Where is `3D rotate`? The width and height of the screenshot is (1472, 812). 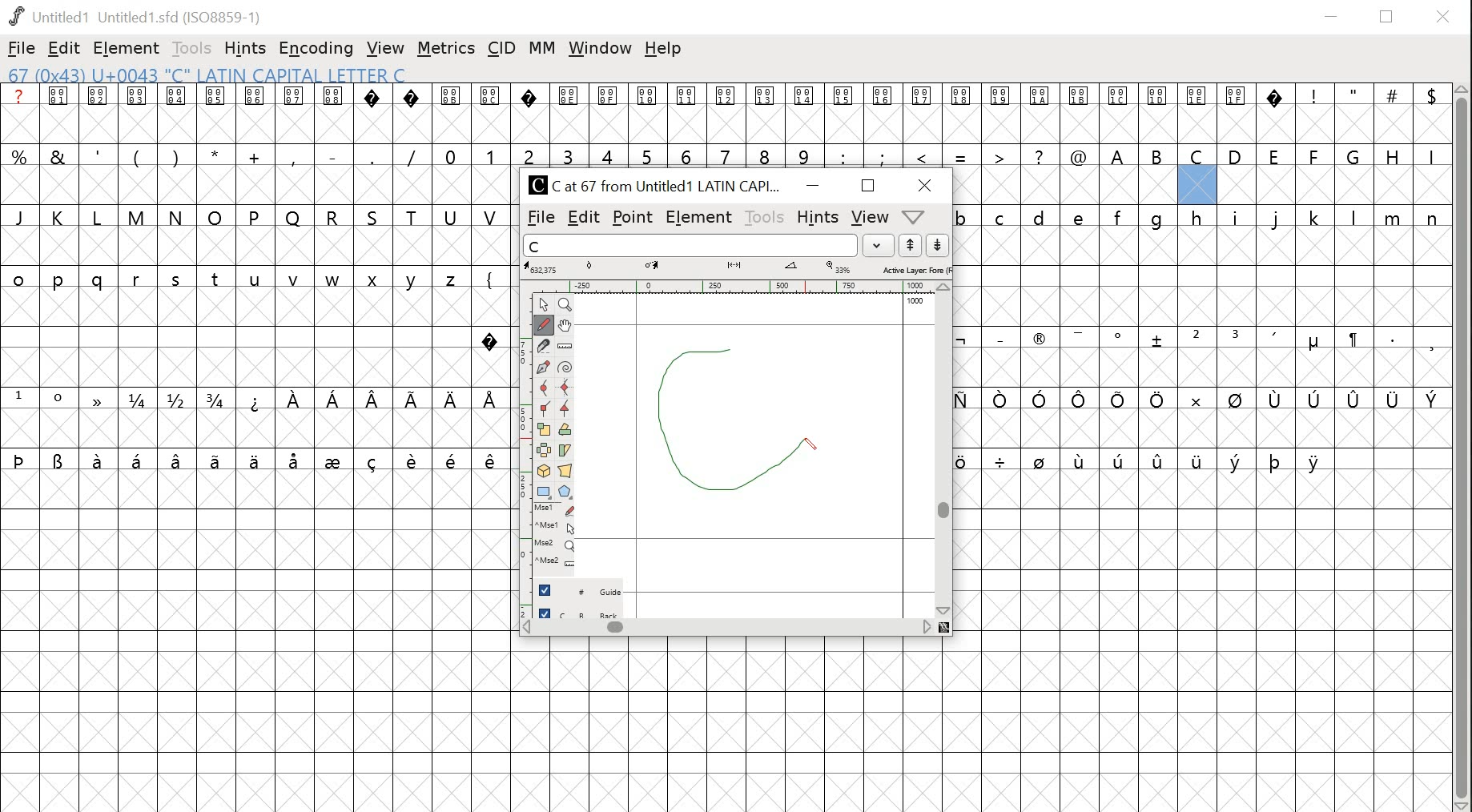
3D rotate is located at coordinates (546, 472).